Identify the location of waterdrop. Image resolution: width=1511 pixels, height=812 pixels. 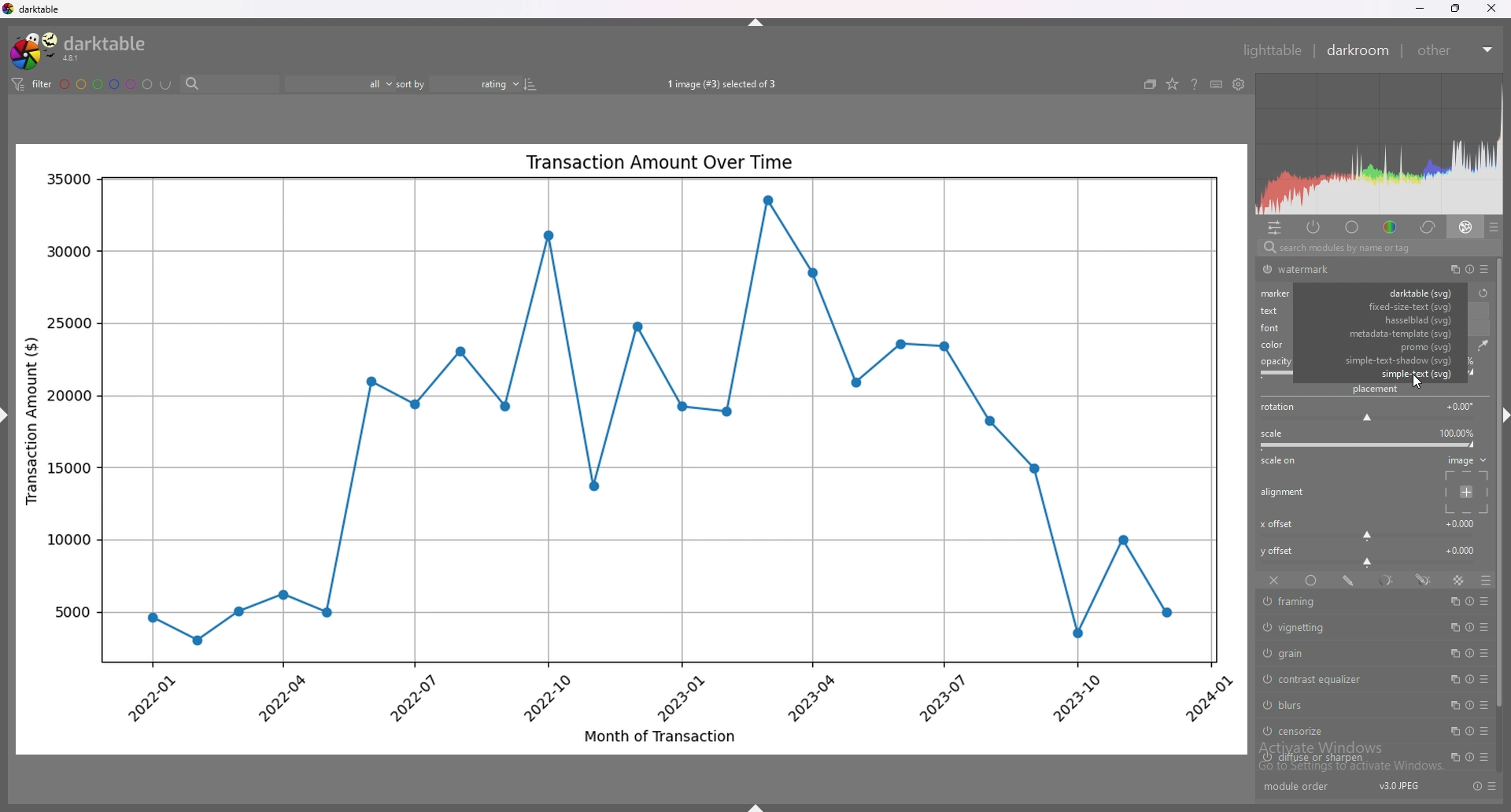
(1482, 345).